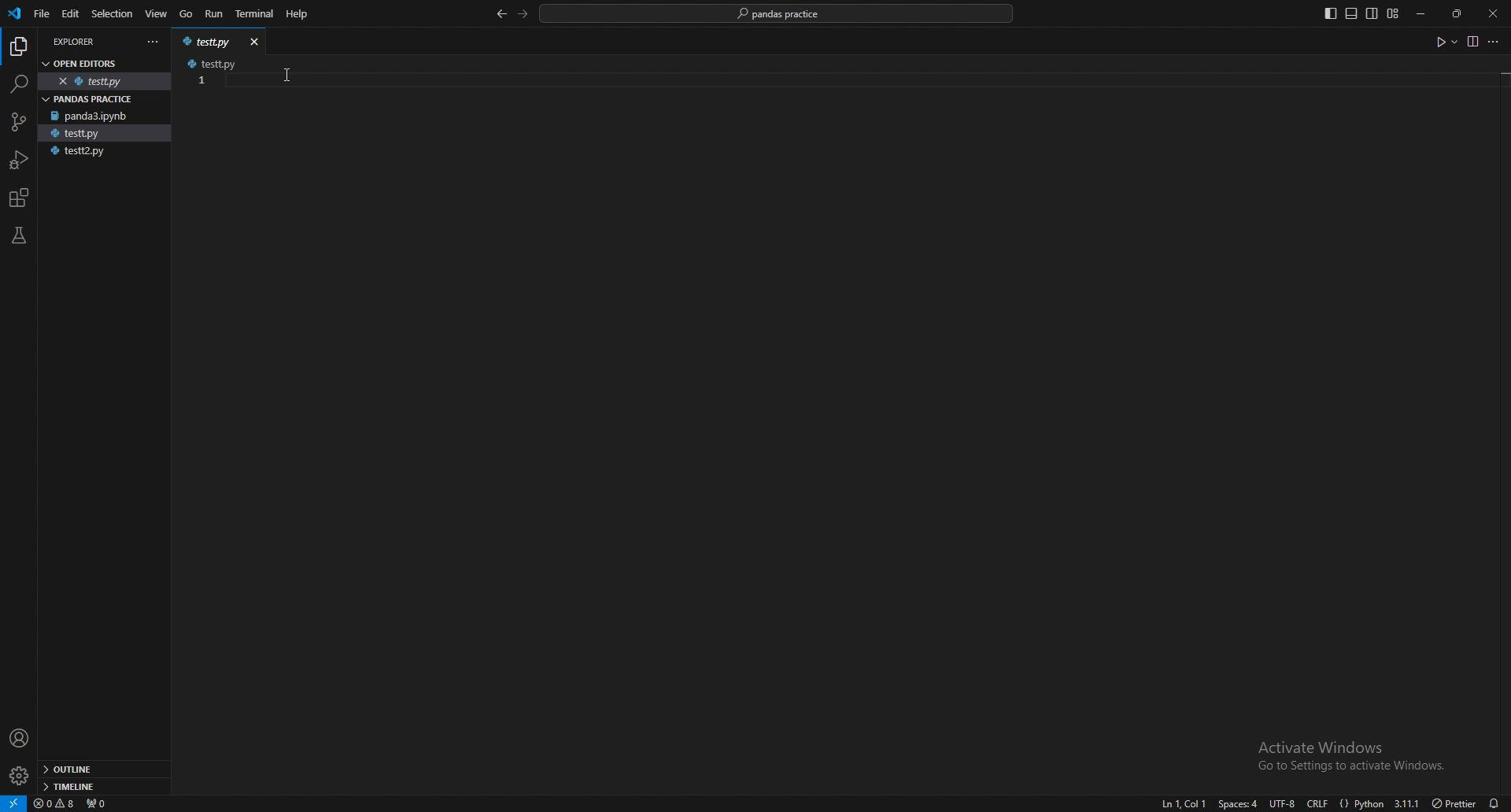 The height and width of the screenshot is (812, 1511). What do you see at coordinates (1392, 14) in the screenshot?
I see `customize layout` at bounding box center [1392, 14].